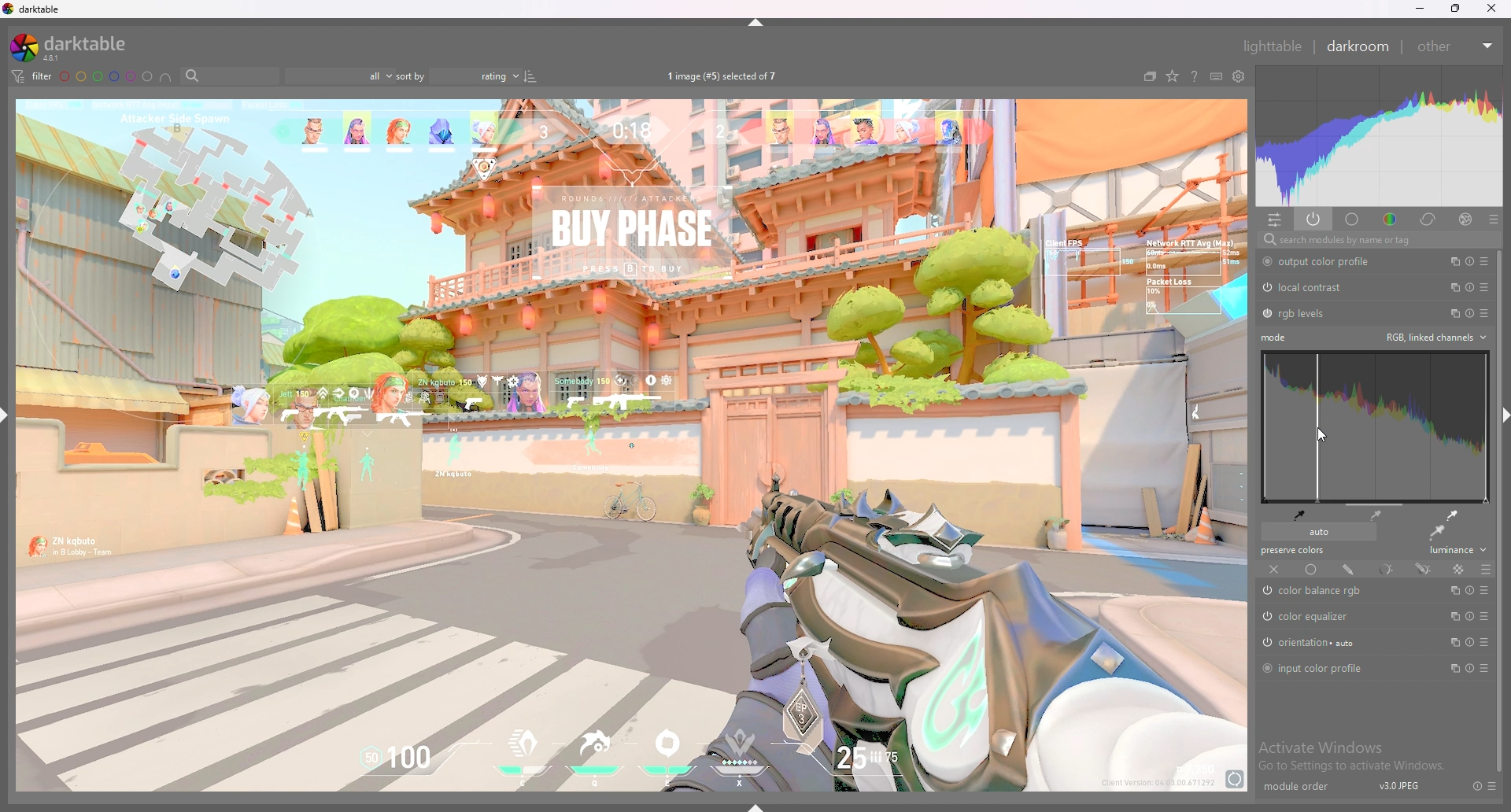  I want to click on filter by images rating, so click(336, 76).